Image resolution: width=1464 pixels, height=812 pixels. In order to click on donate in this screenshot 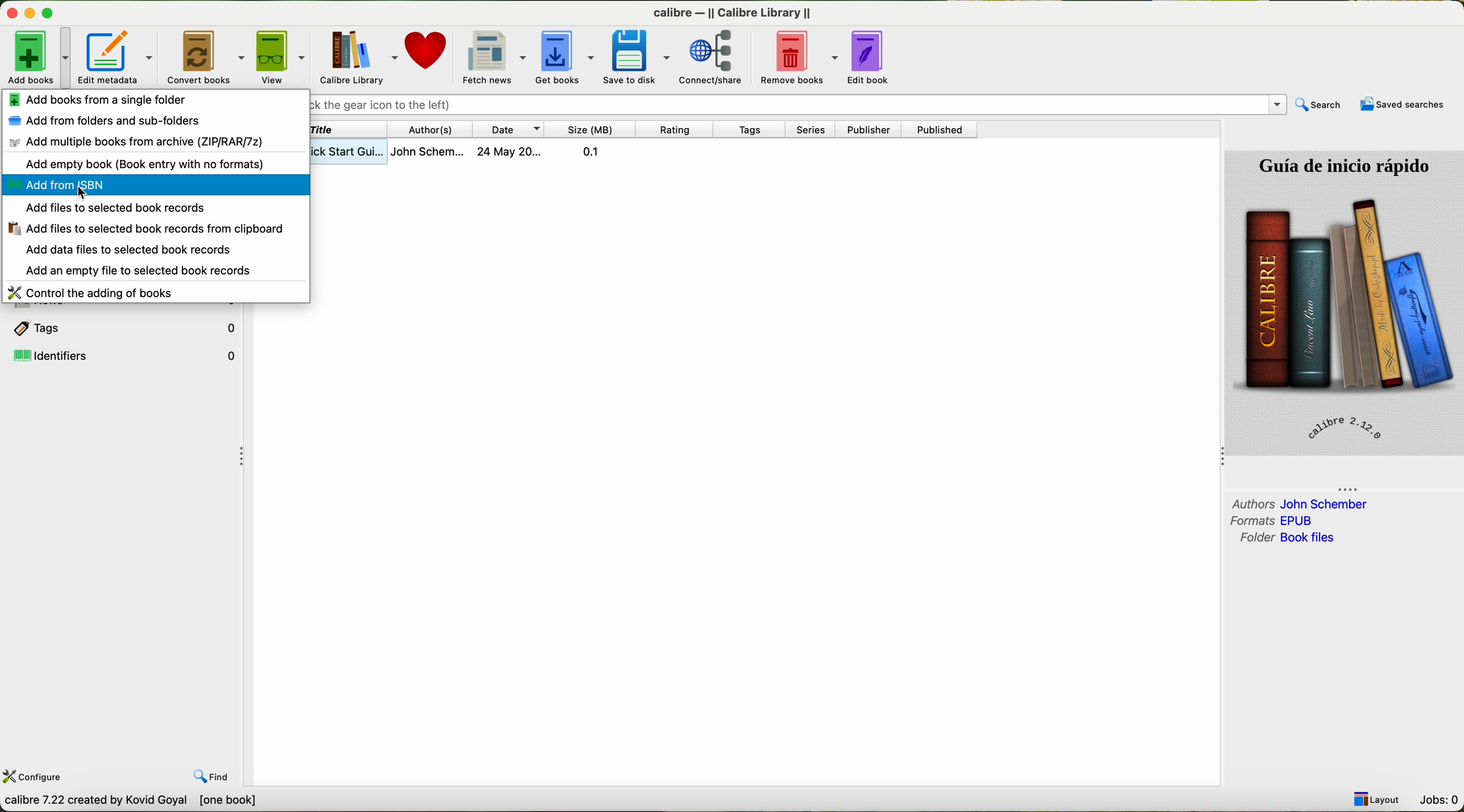, I will do `click(427, 50)`.